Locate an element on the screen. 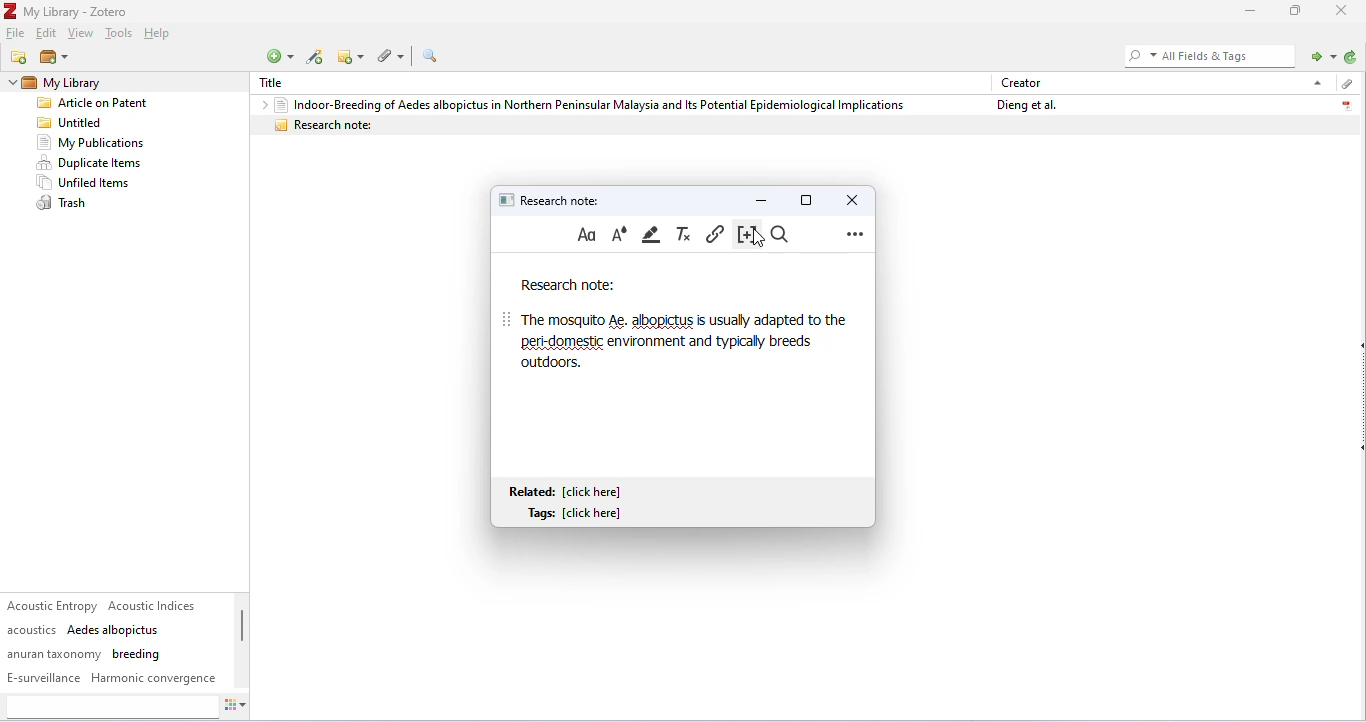  research note is located at coordinates (568, 286).